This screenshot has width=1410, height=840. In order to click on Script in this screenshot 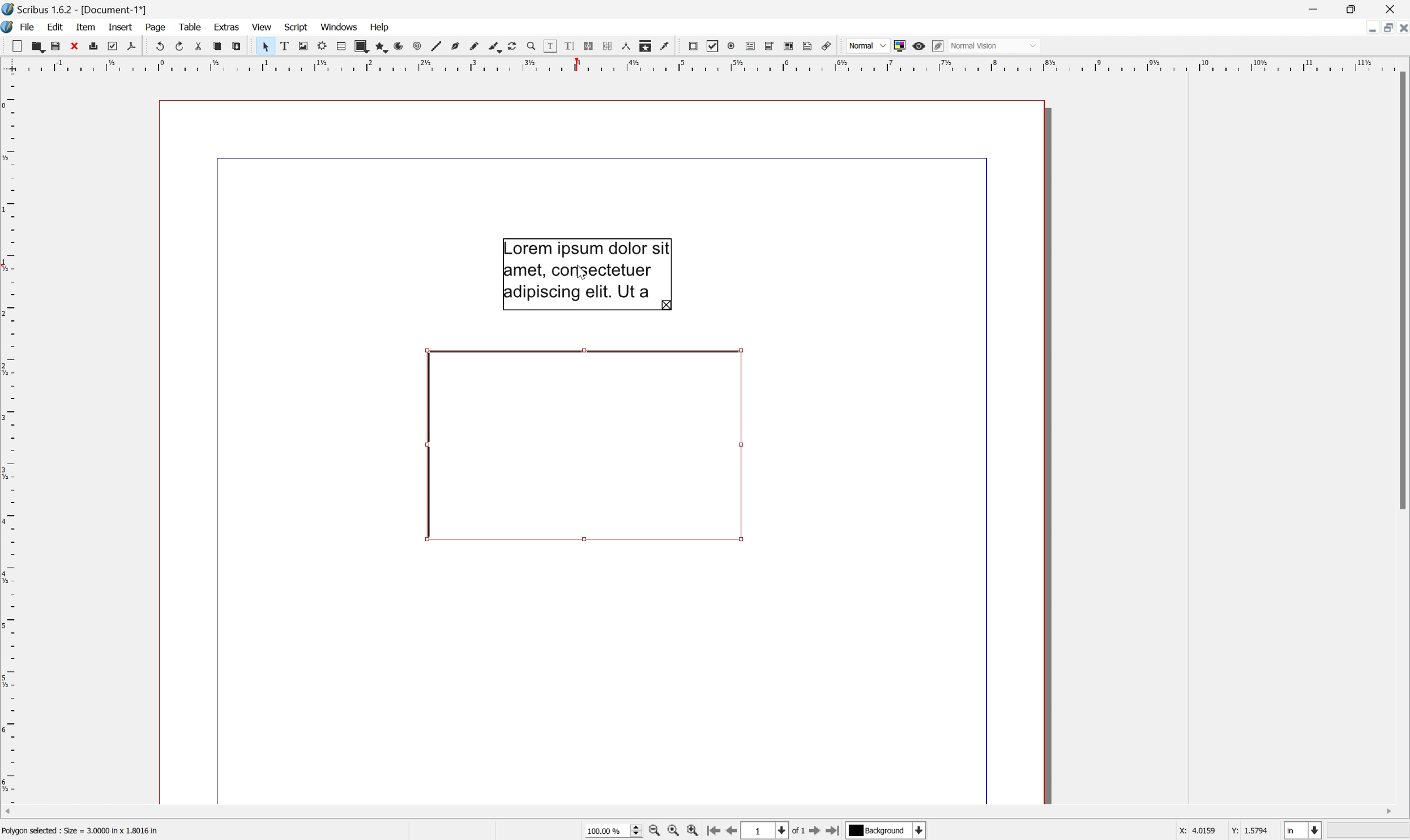, I will do `click(296, 25)`.